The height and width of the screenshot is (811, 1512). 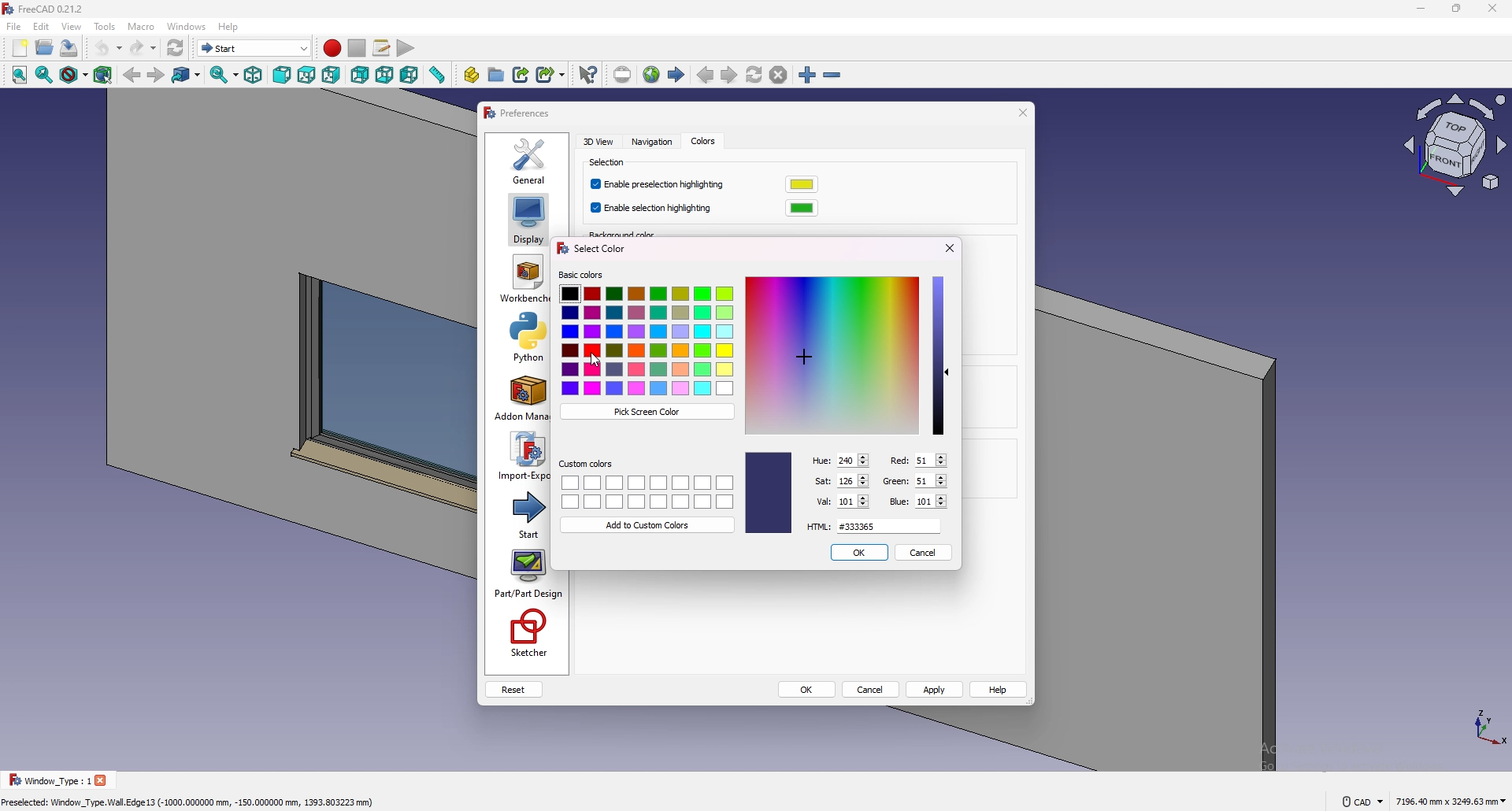 I want to click on add on manager, so click(x=521, y=398).